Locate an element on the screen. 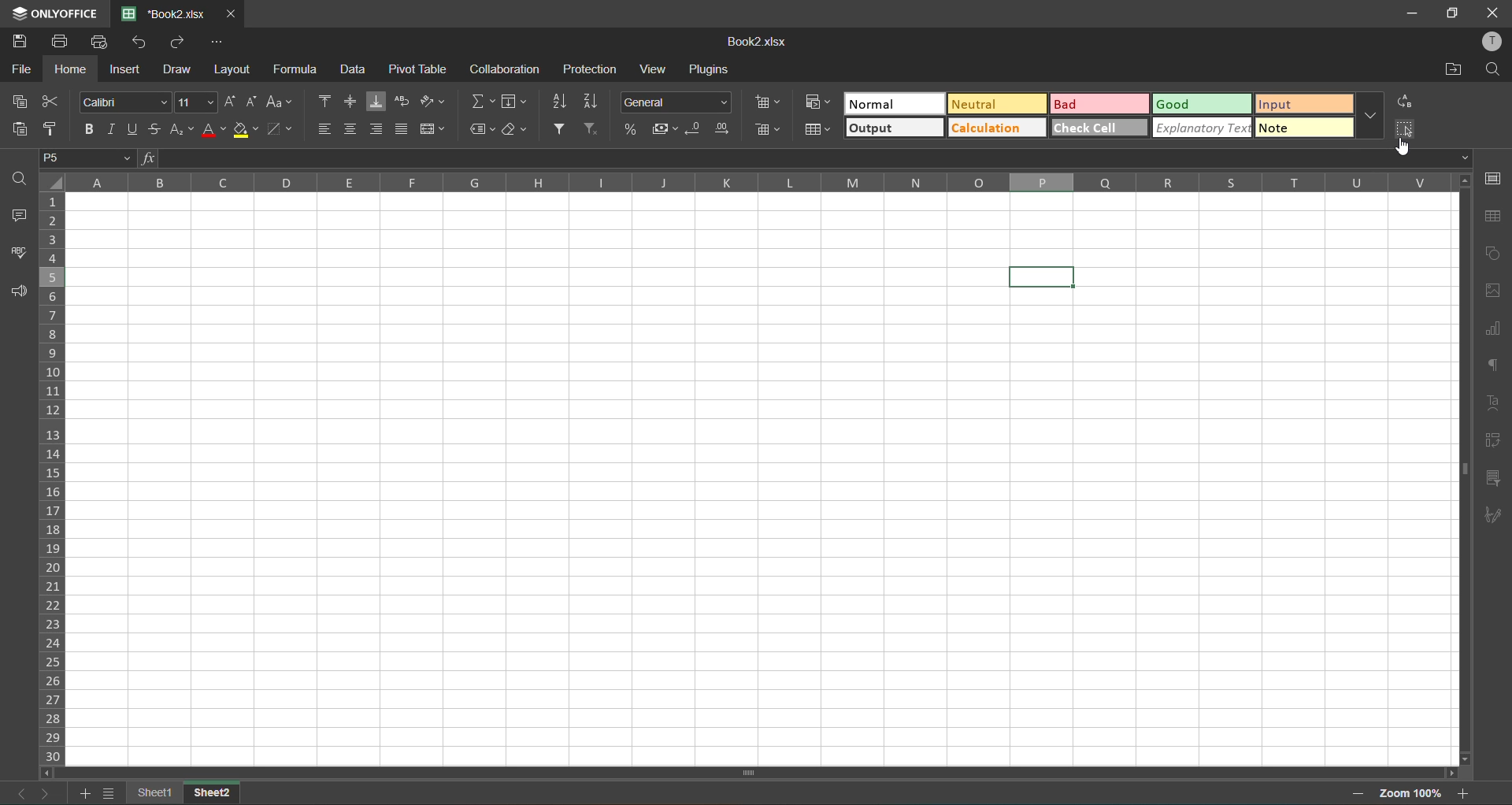 Image resolution: width=1512 pixels, height=805 pixels. slicer is located at coordinates (1495, 480).